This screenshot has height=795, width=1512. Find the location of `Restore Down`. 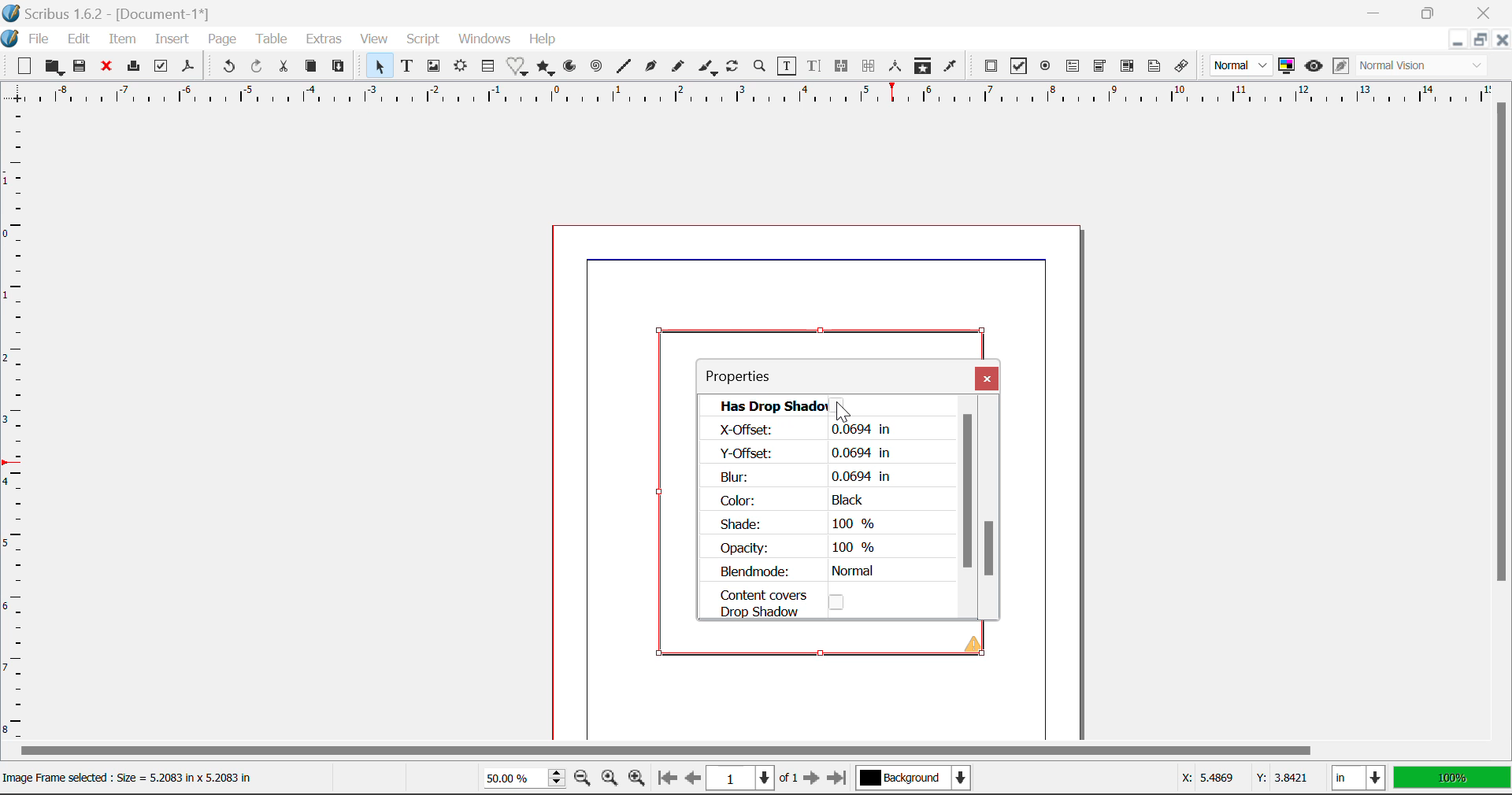

Restore Down is located at coordinates (1455, 42).